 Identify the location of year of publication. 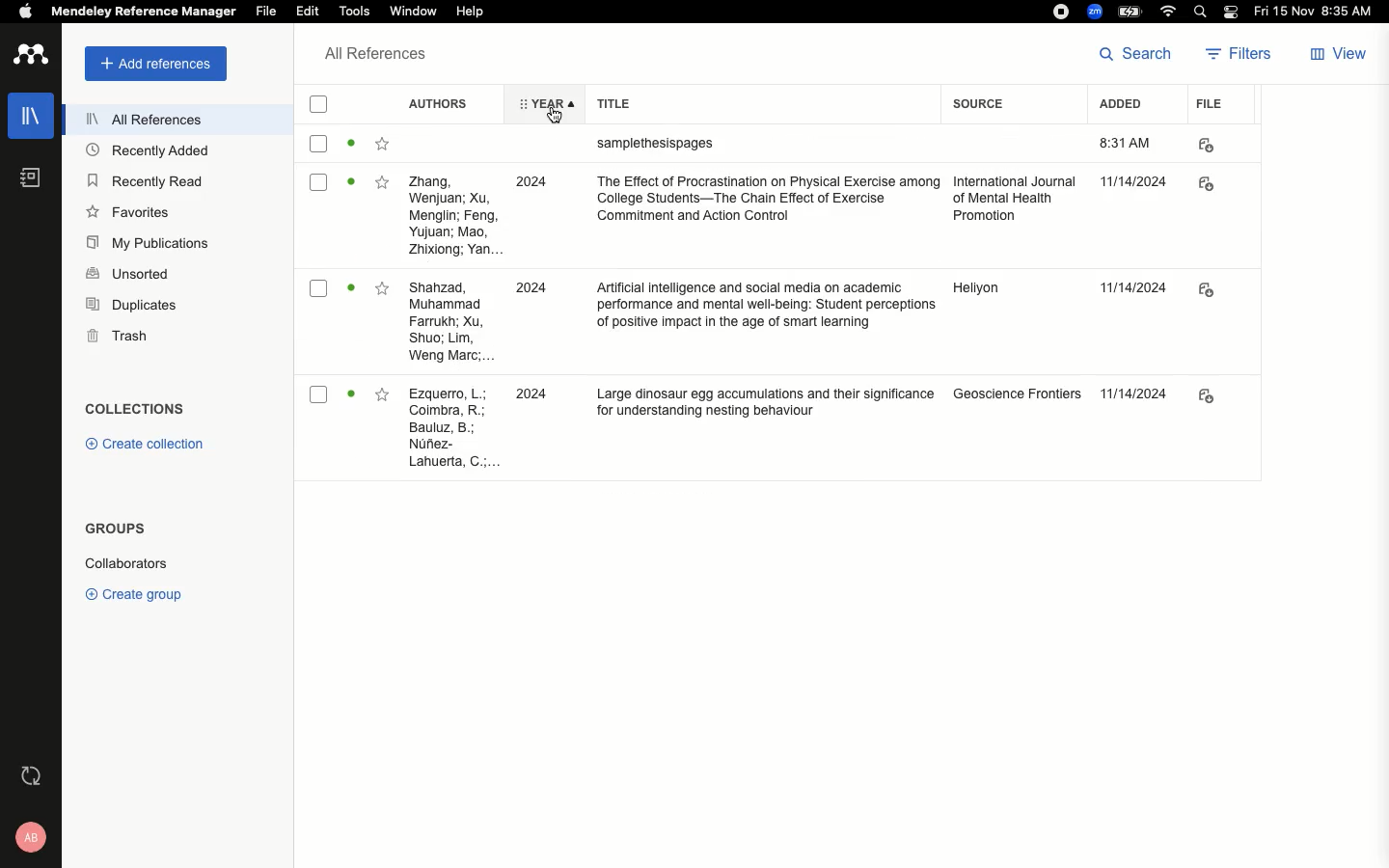
(538, 287).